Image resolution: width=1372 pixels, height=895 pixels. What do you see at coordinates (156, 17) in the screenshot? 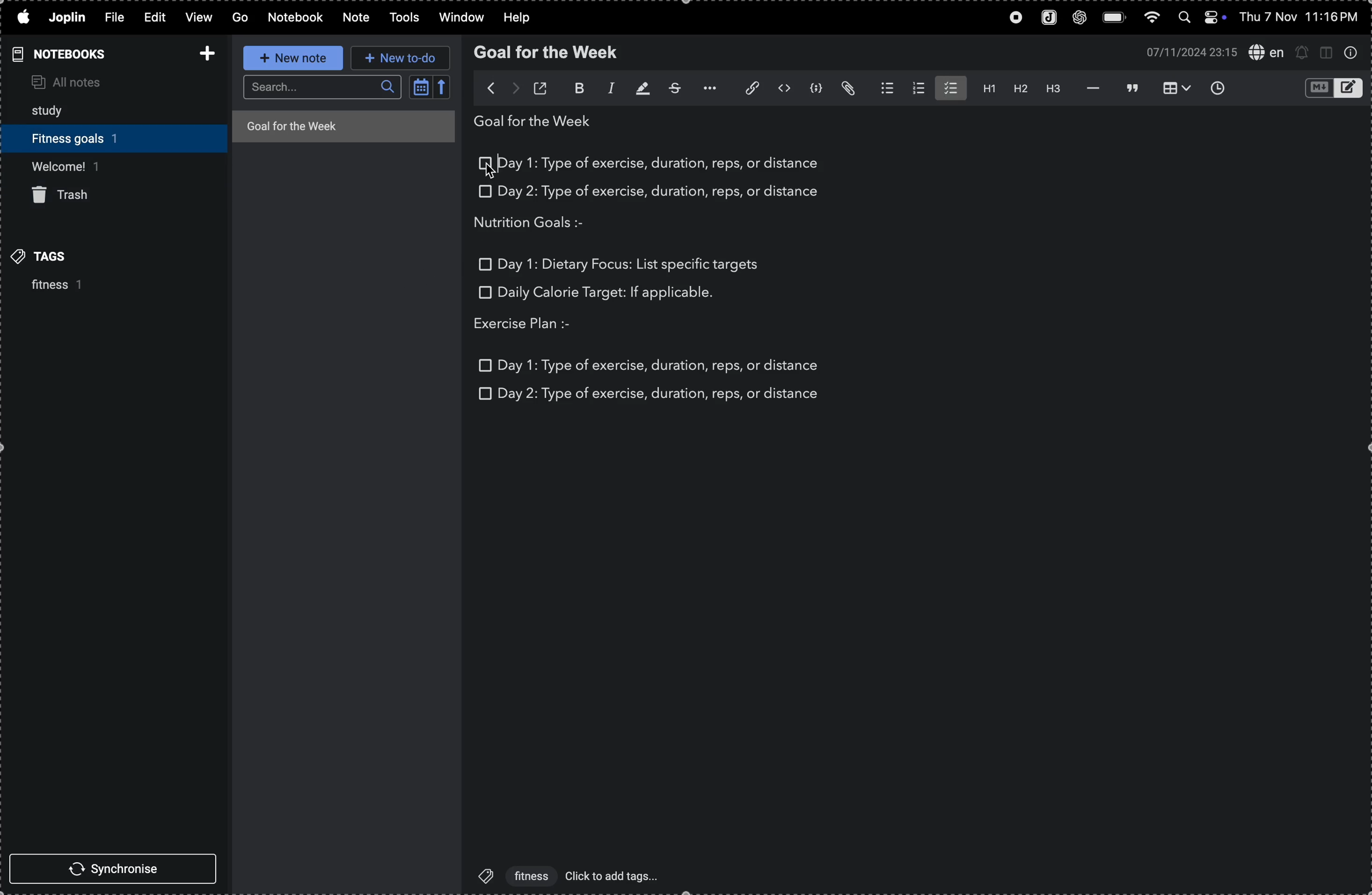
I see `edit` at bounding box center [156, 17].